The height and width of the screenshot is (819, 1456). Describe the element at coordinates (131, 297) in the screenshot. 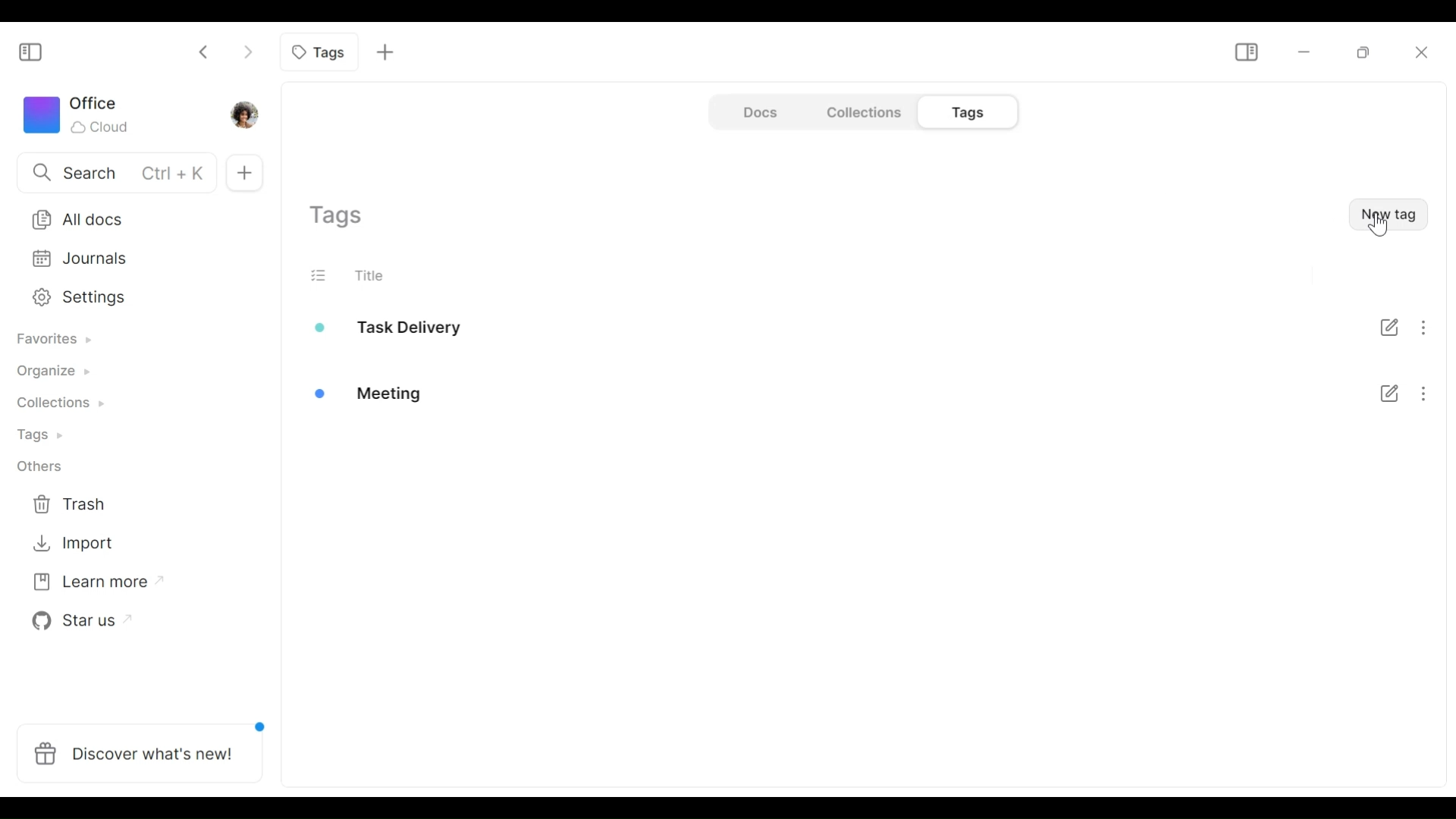

I see `Settings` at that location.